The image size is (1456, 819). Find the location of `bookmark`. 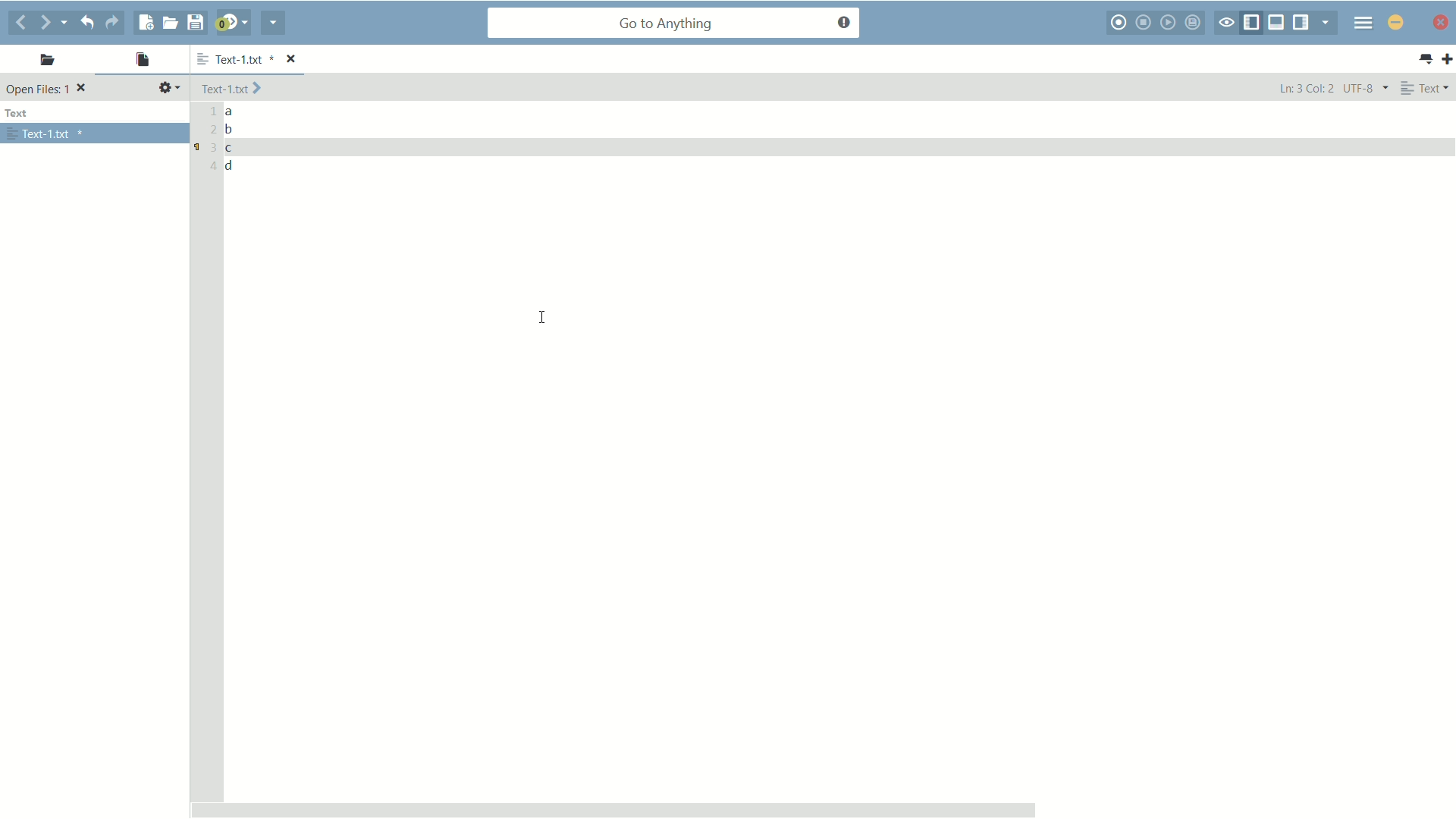

bookmark is located at coordinates (190, 147).